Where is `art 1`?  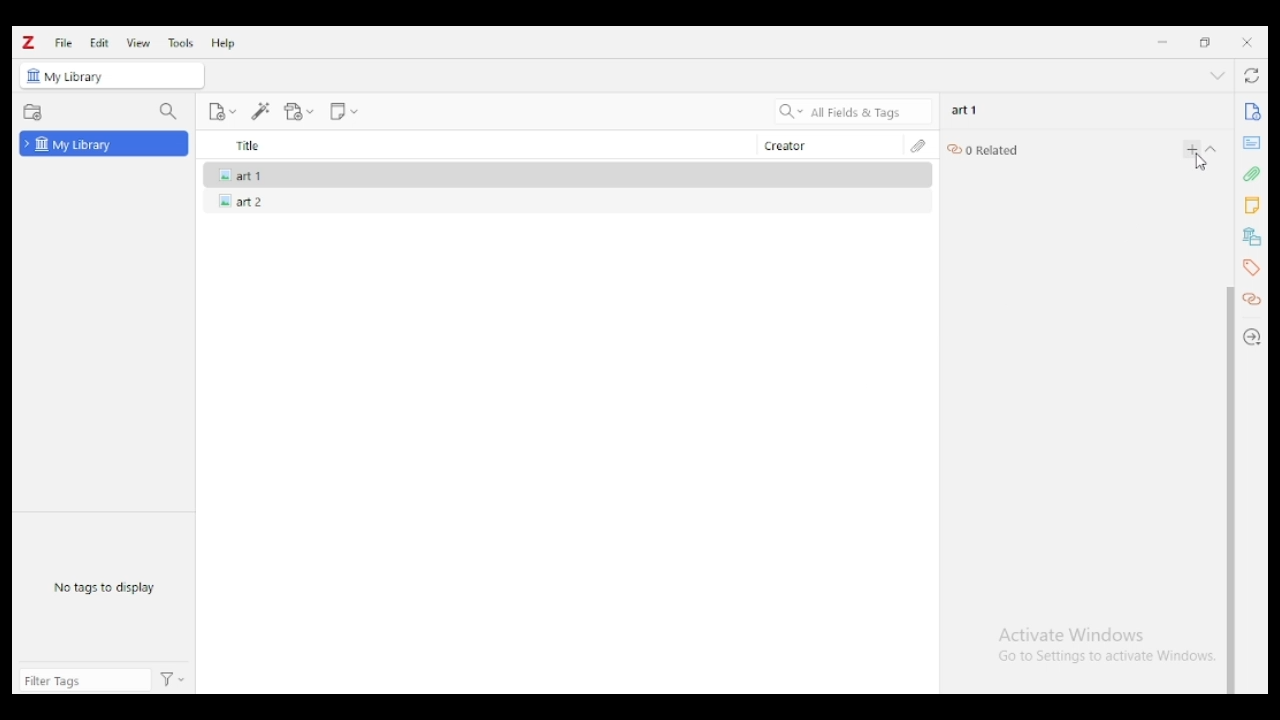 art 1 is located at coordinates (965, 110).